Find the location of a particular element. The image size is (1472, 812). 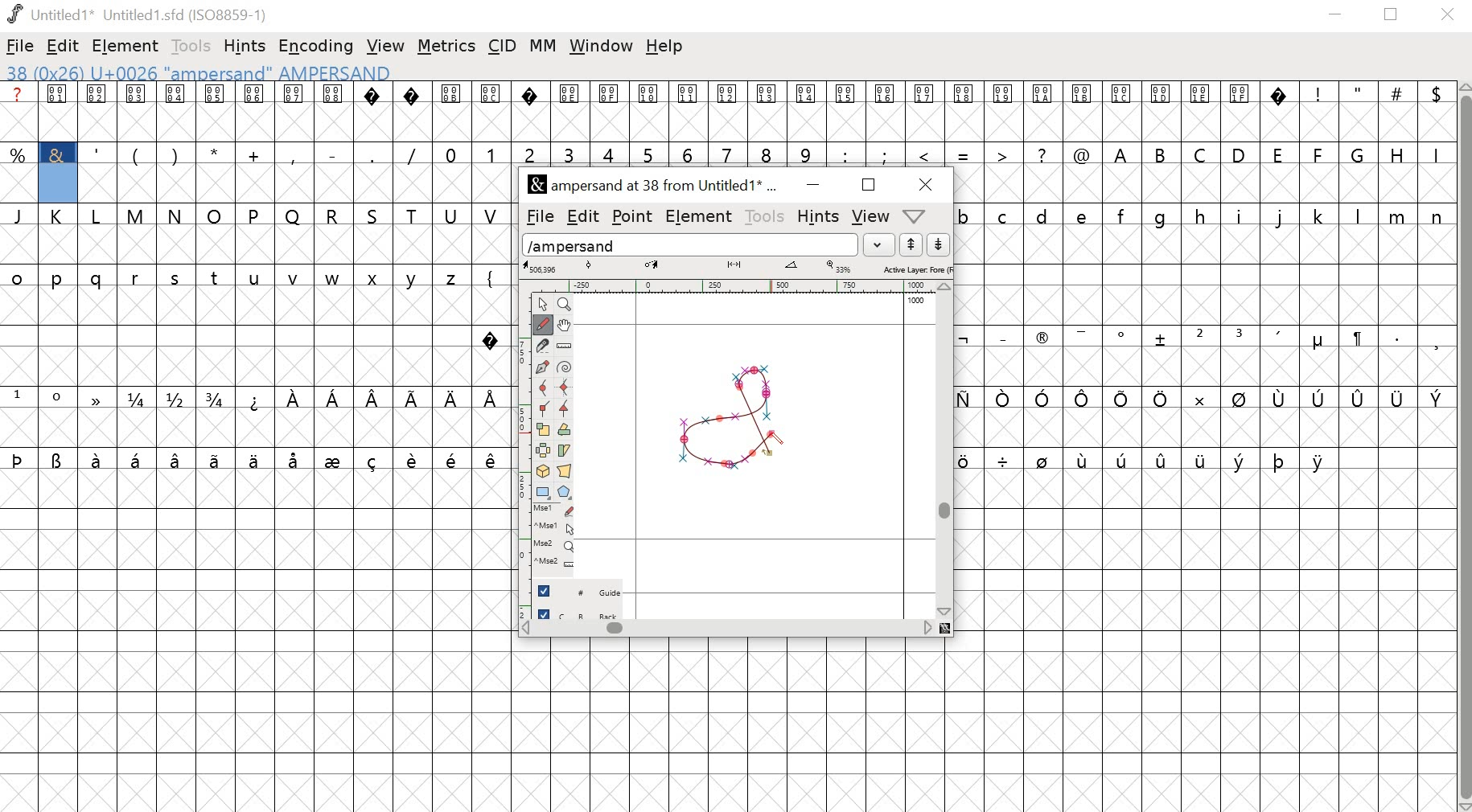

zoom level is located at coordinates (841, 267).